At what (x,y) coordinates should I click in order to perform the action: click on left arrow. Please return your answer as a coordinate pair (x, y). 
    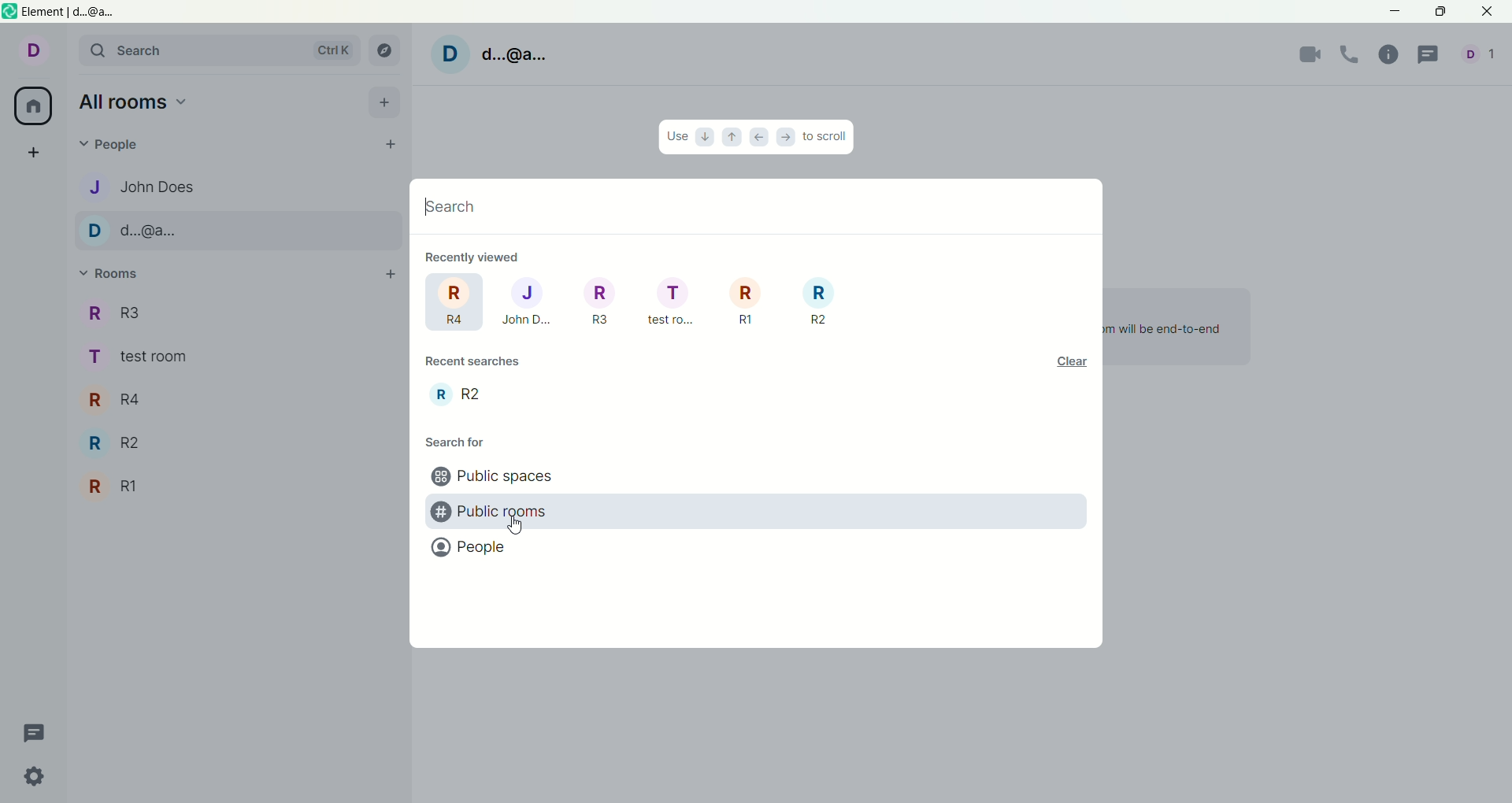
    Looking at the image, I should click on (759, 139).